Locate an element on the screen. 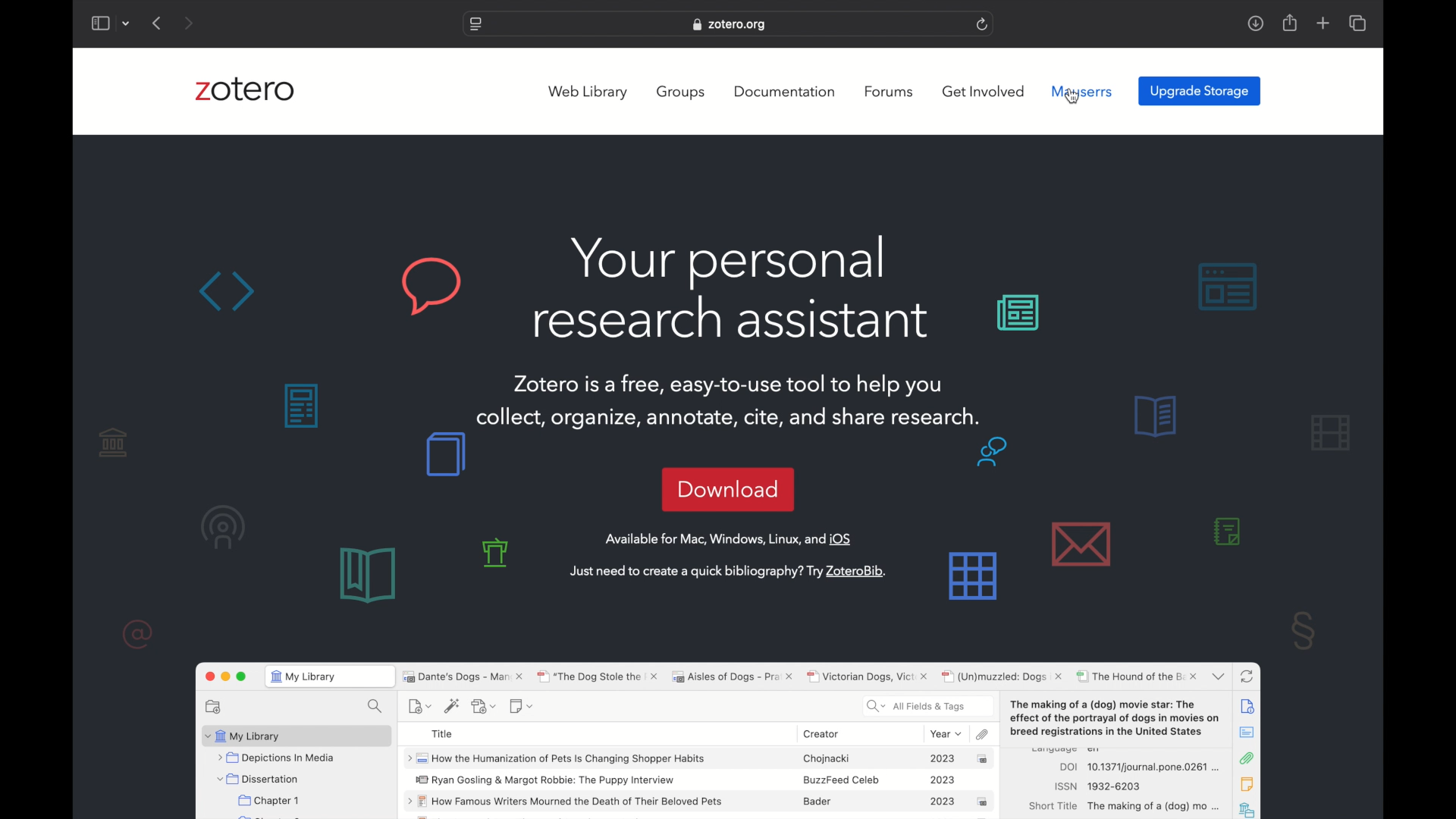  your personal research assistant is located at coordinates (731, 287).